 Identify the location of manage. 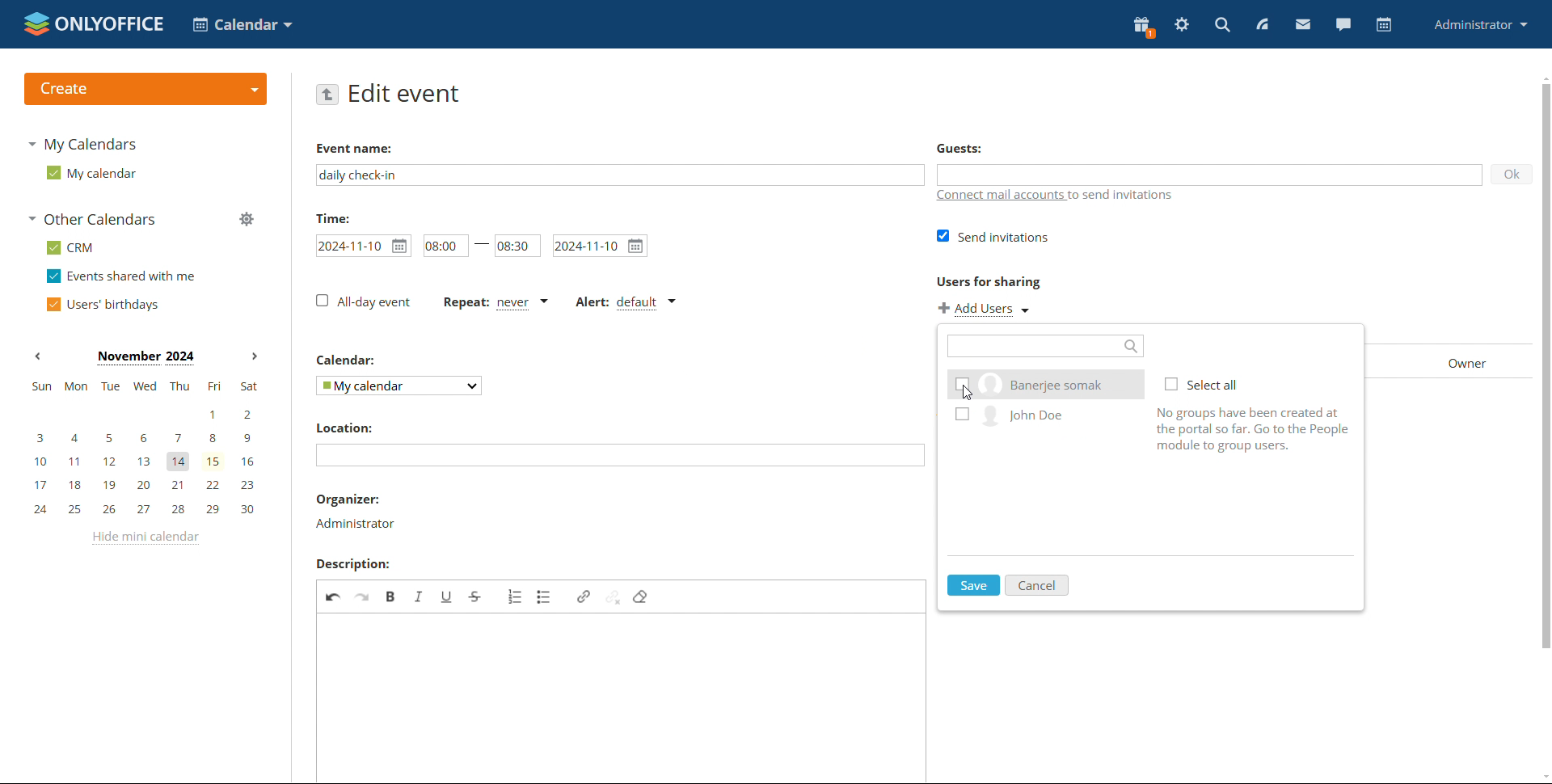
(246, 218).